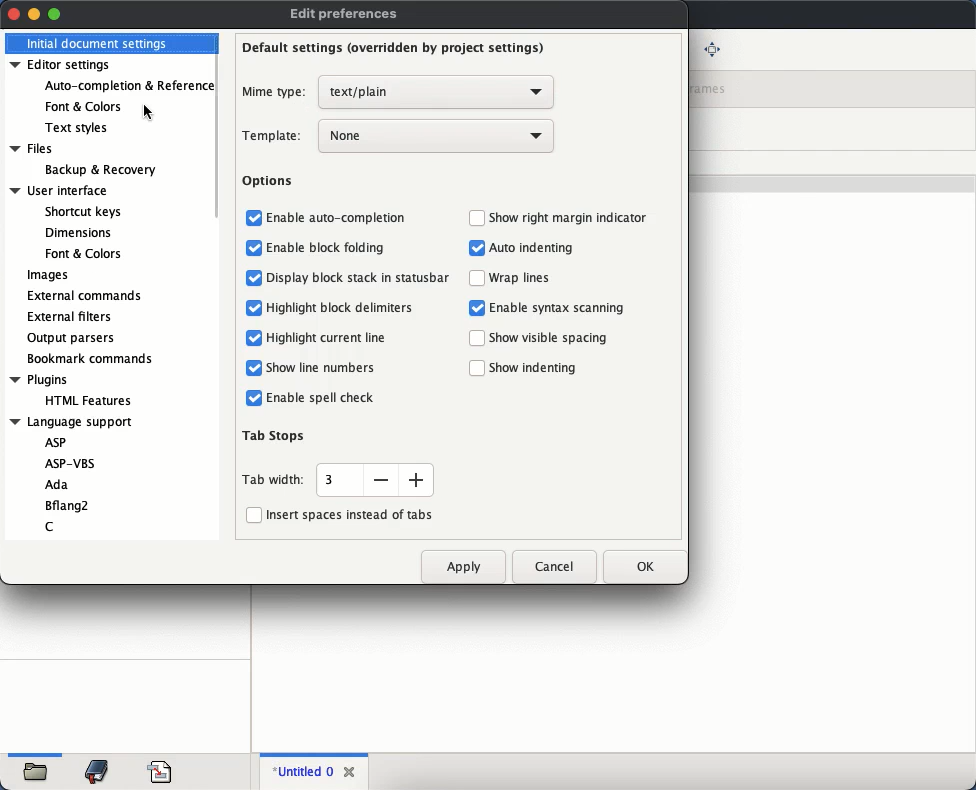 The image size is (976, 790). Describe the element at coordinates (557, 218) in the screenshot. I see `show right margin indicator` at that location.